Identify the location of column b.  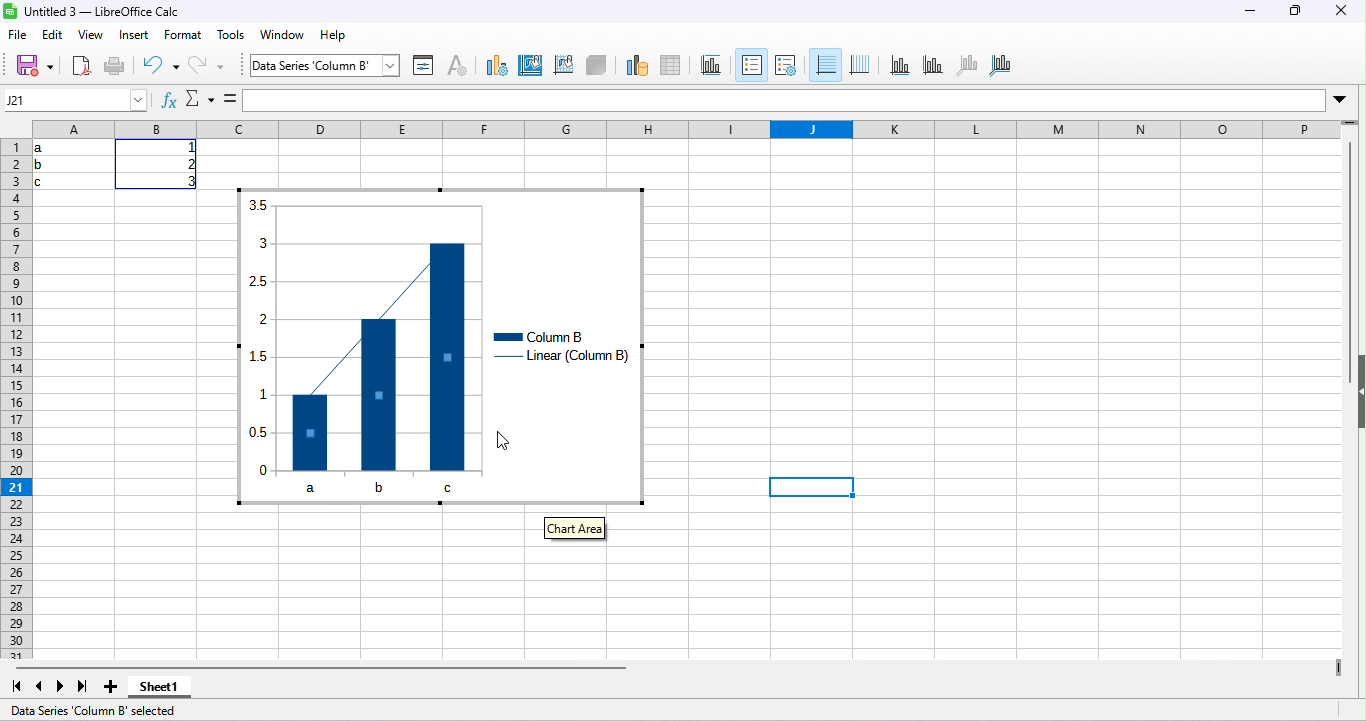
(543, 334).